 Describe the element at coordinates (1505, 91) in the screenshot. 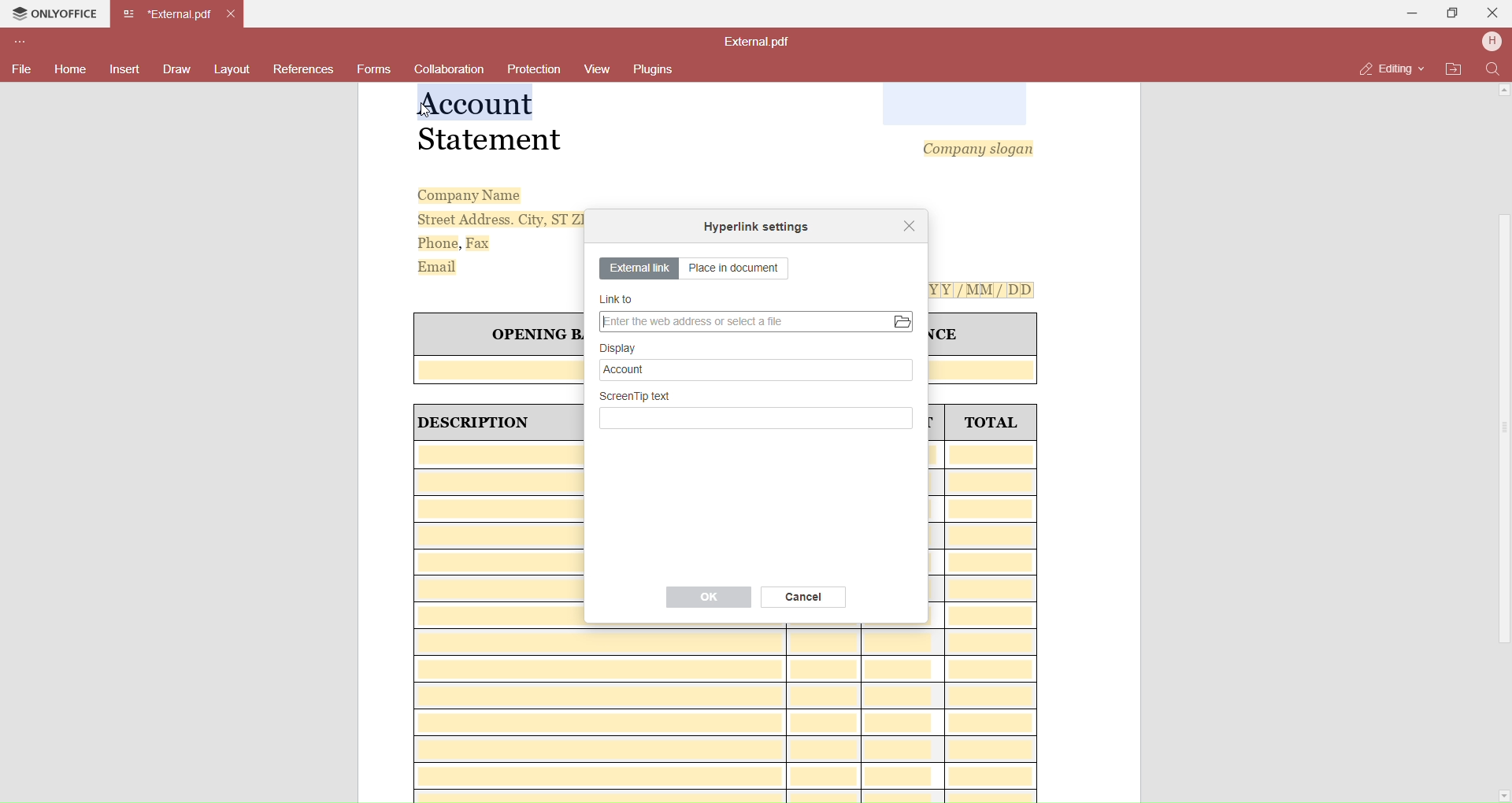

I see `Scroll Up` at that location.